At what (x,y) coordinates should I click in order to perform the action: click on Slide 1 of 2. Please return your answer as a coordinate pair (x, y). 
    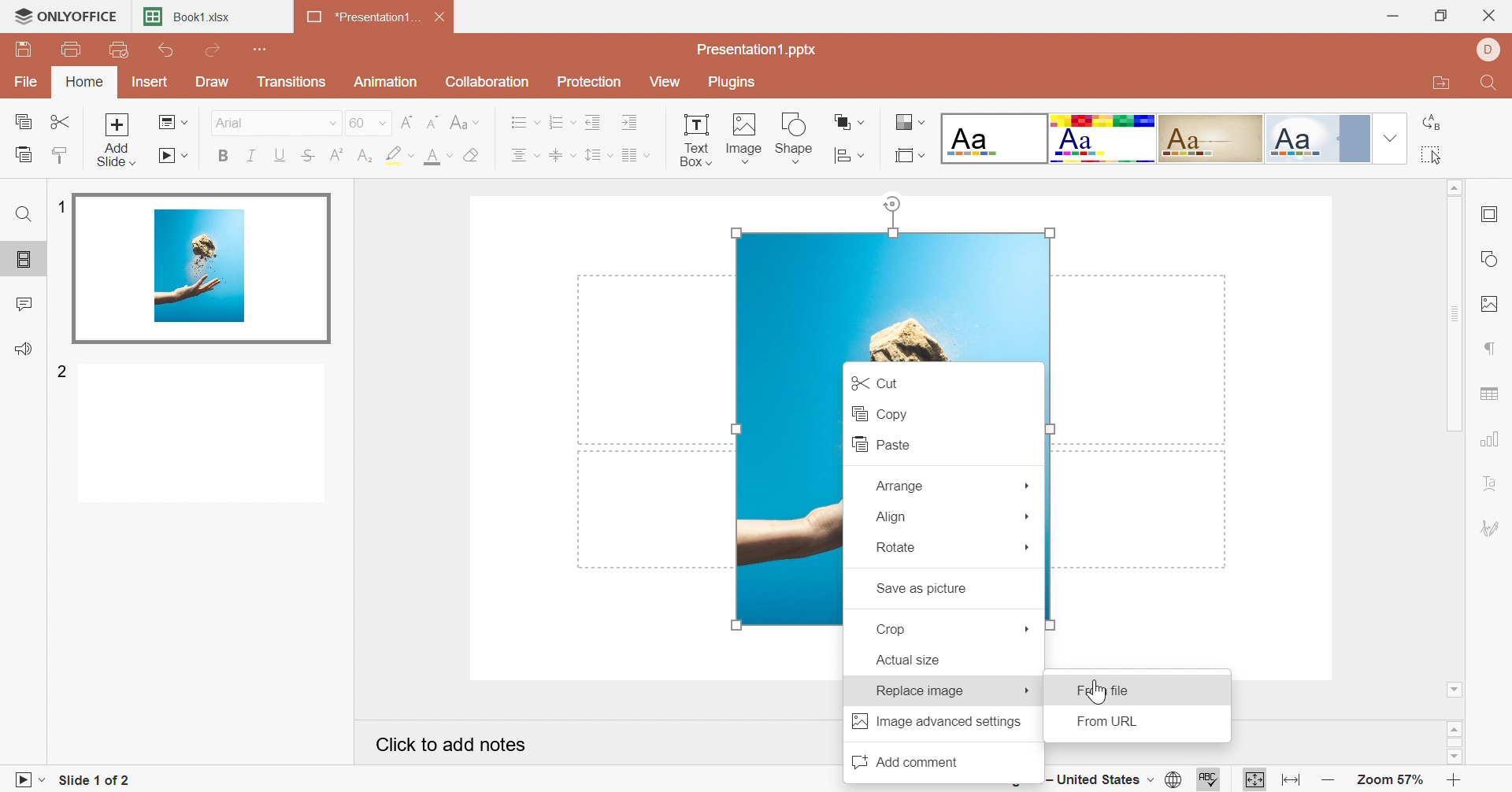
    Looking at the image, I should click on (90, 781).